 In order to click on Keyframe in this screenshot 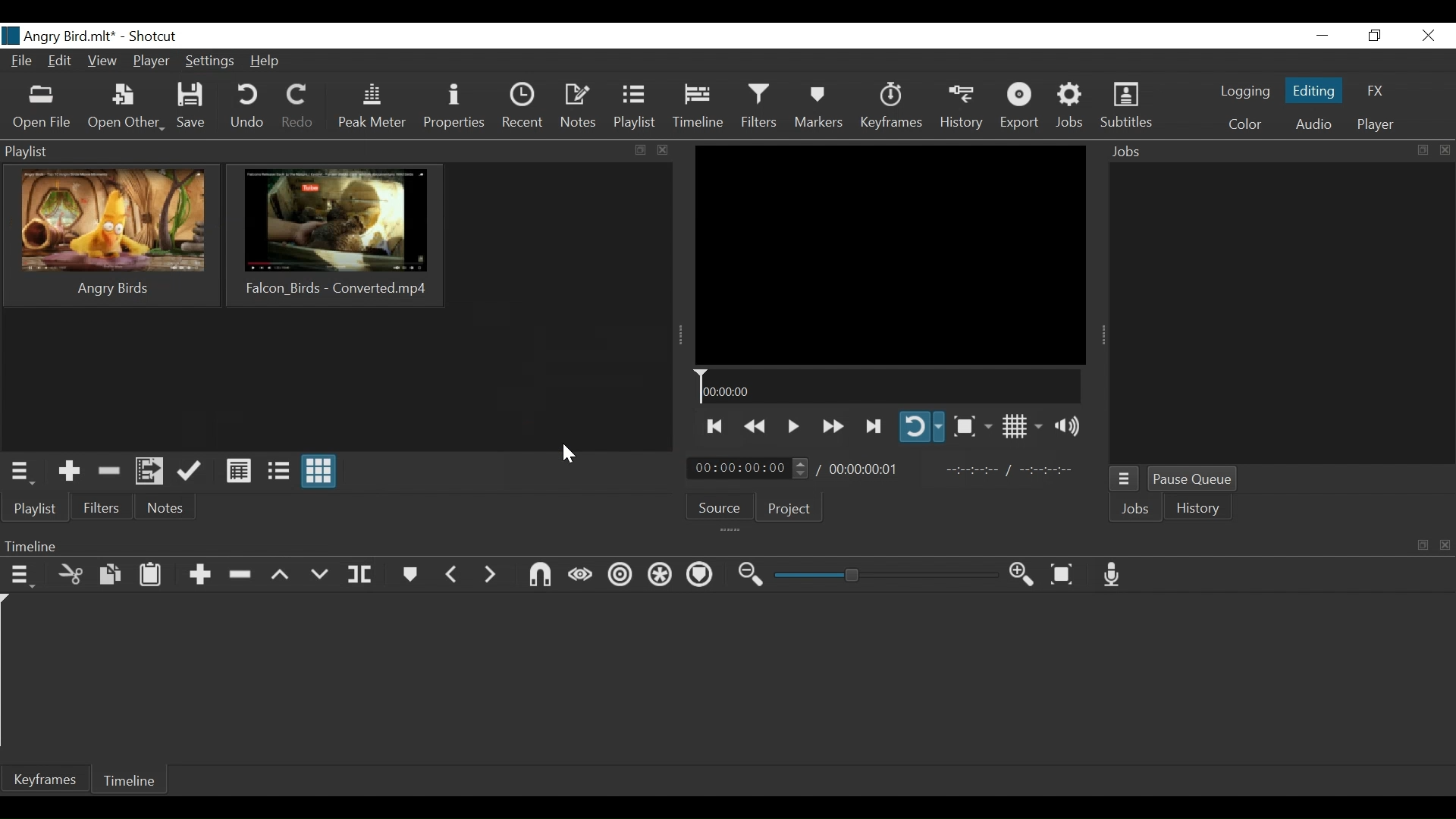, I will do `click(890, 108)`.